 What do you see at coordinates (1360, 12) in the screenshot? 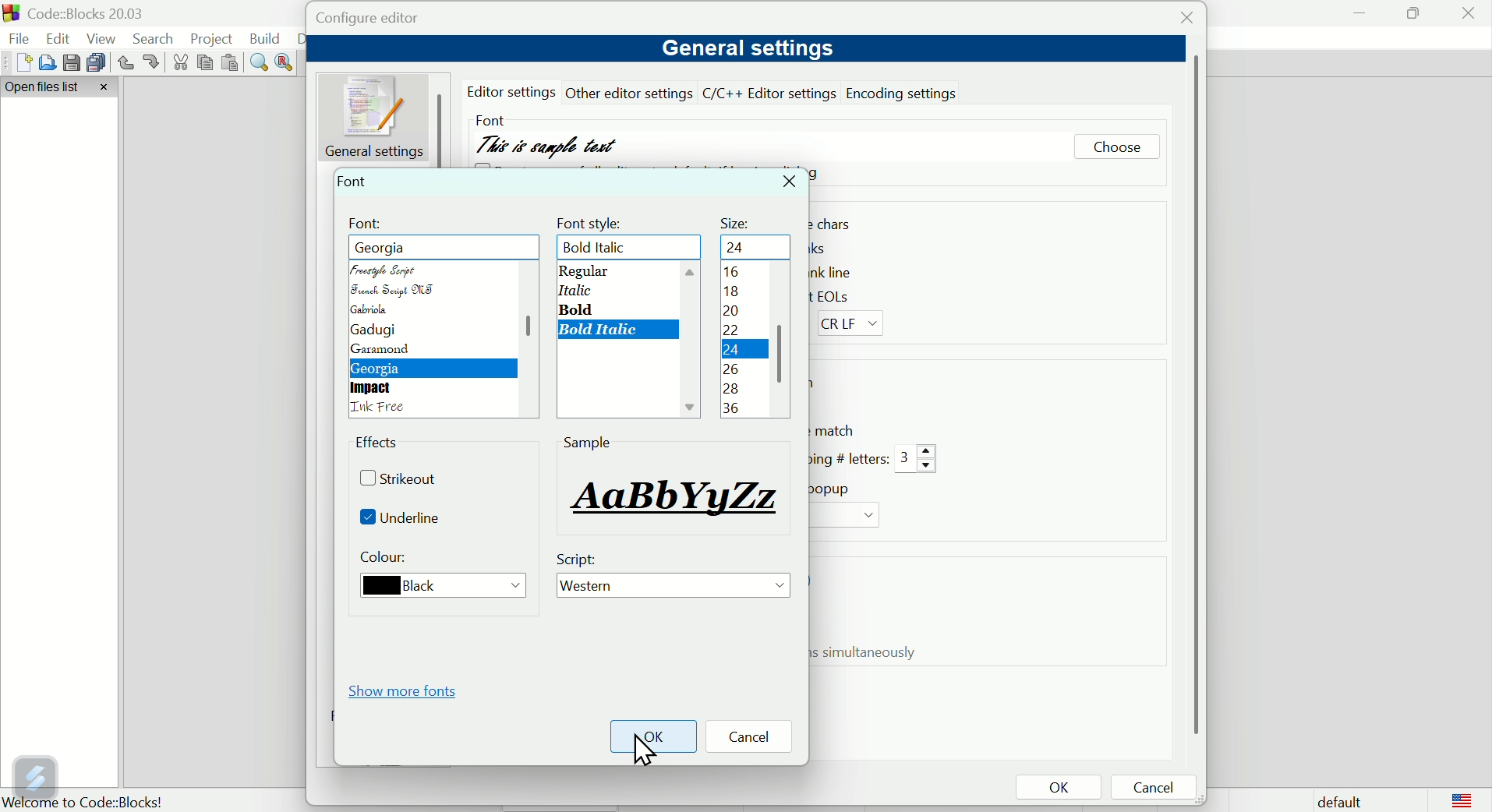
I see `minimise` at bounding box center [1360, 12].